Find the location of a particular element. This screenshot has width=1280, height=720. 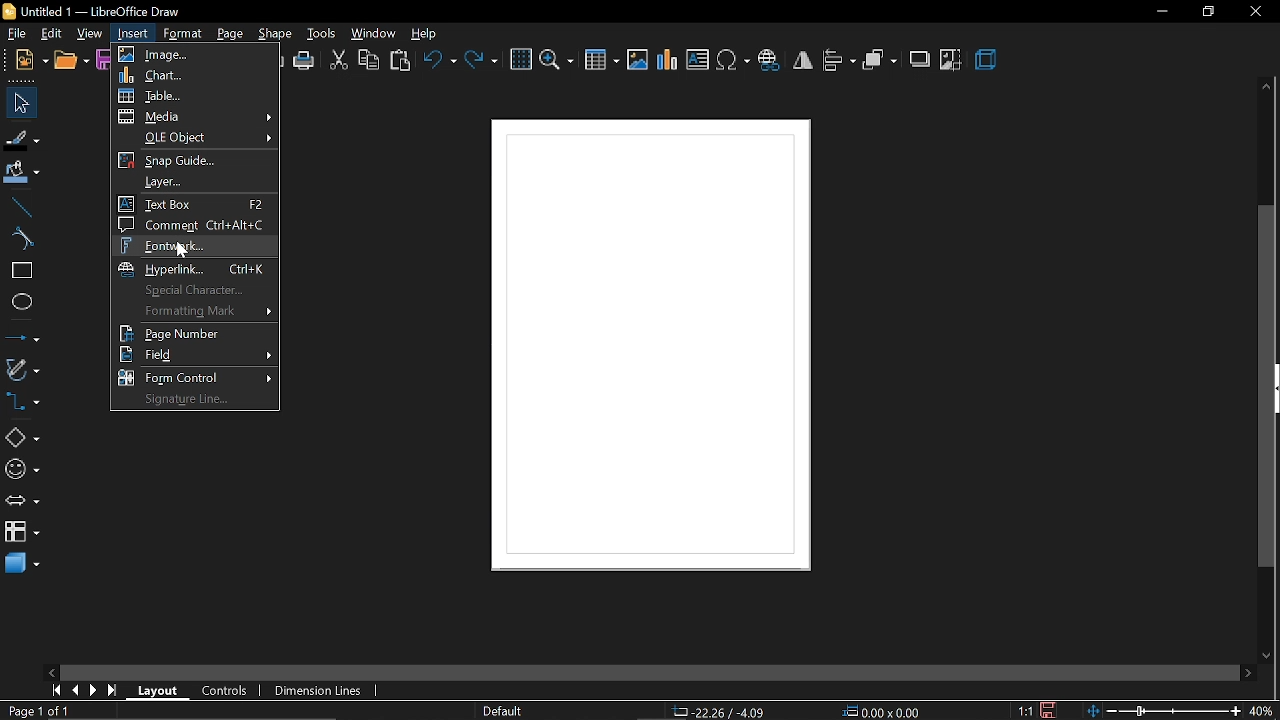

-22.26/-4.09 is located at coordinates (722, 712).